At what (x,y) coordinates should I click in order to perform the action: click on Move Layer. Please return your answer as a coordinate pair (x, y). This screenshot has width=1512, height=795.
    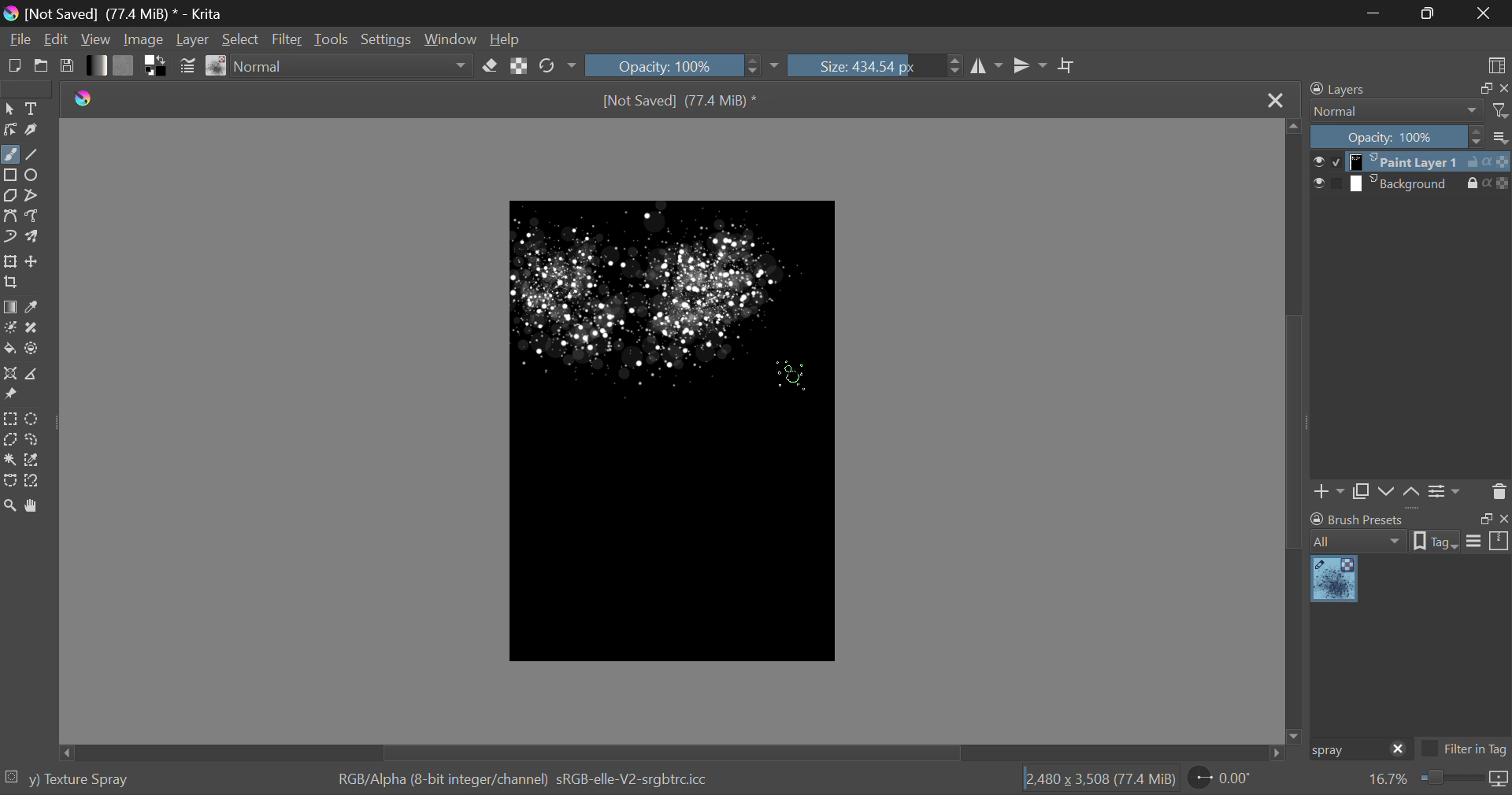
    Looking at the image, I should click on (32, 261).